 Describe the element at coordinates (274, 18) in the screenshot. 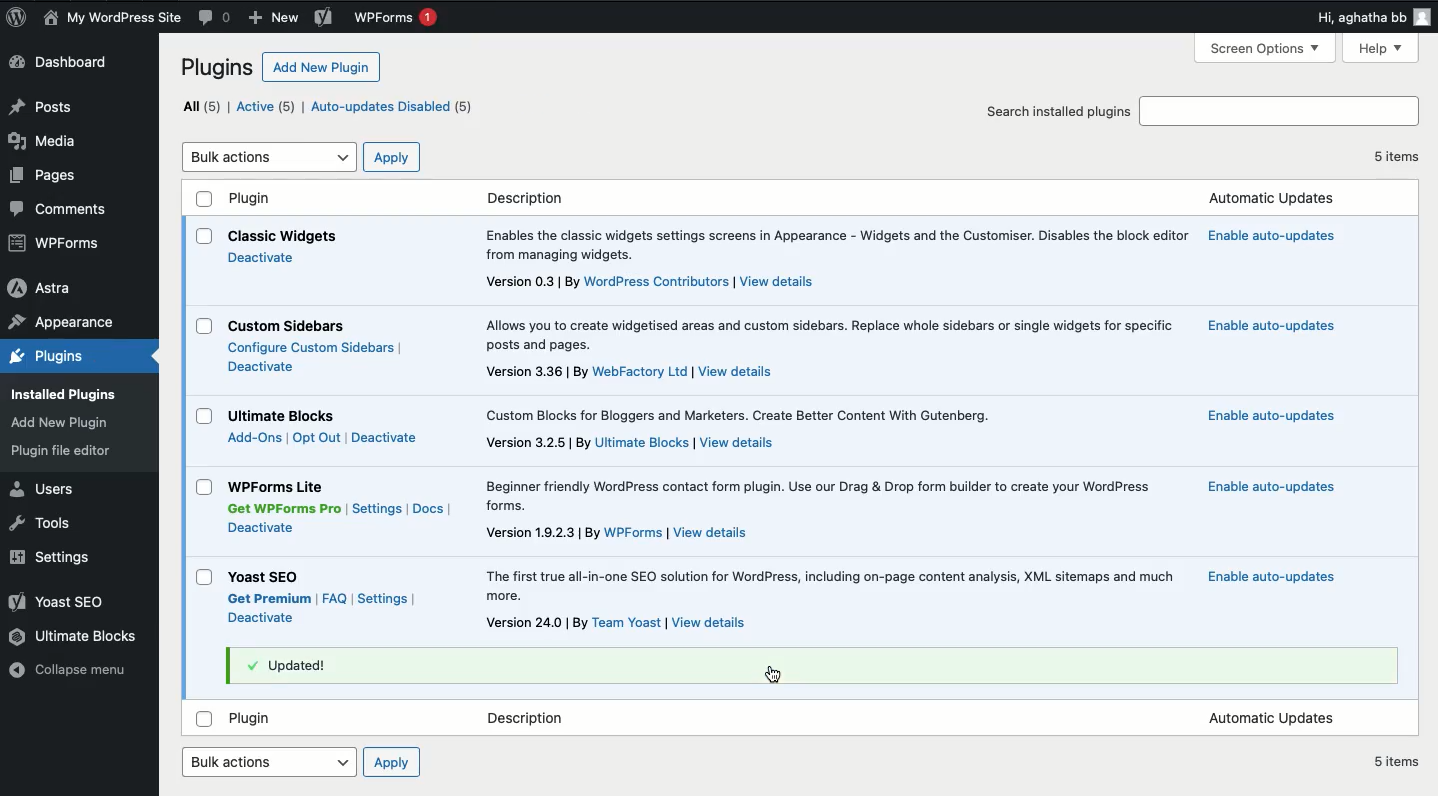

I see `New` at that location.